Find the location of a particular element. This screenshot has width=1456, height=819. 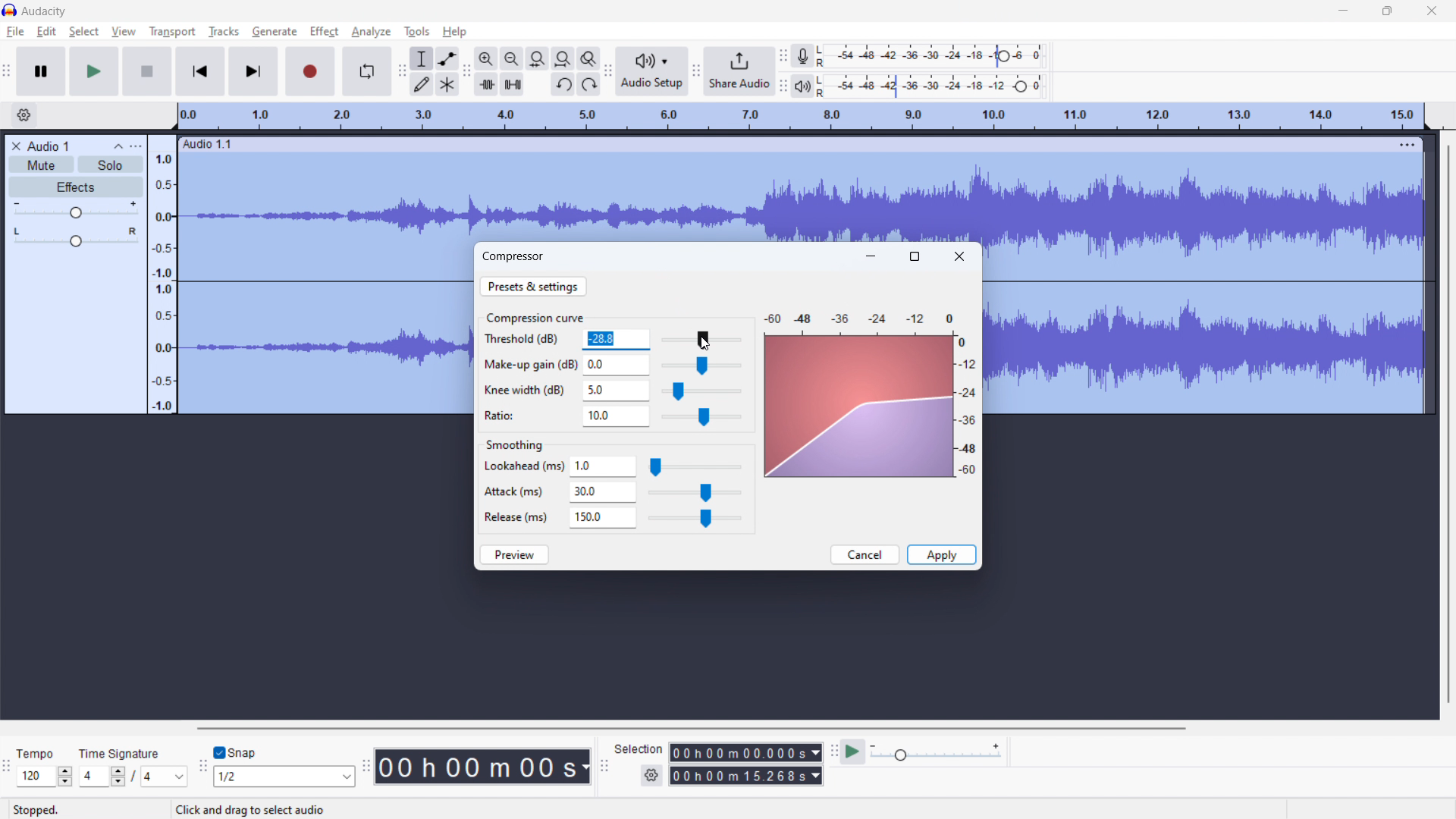

minimize is located at coordinates (1342, 11).